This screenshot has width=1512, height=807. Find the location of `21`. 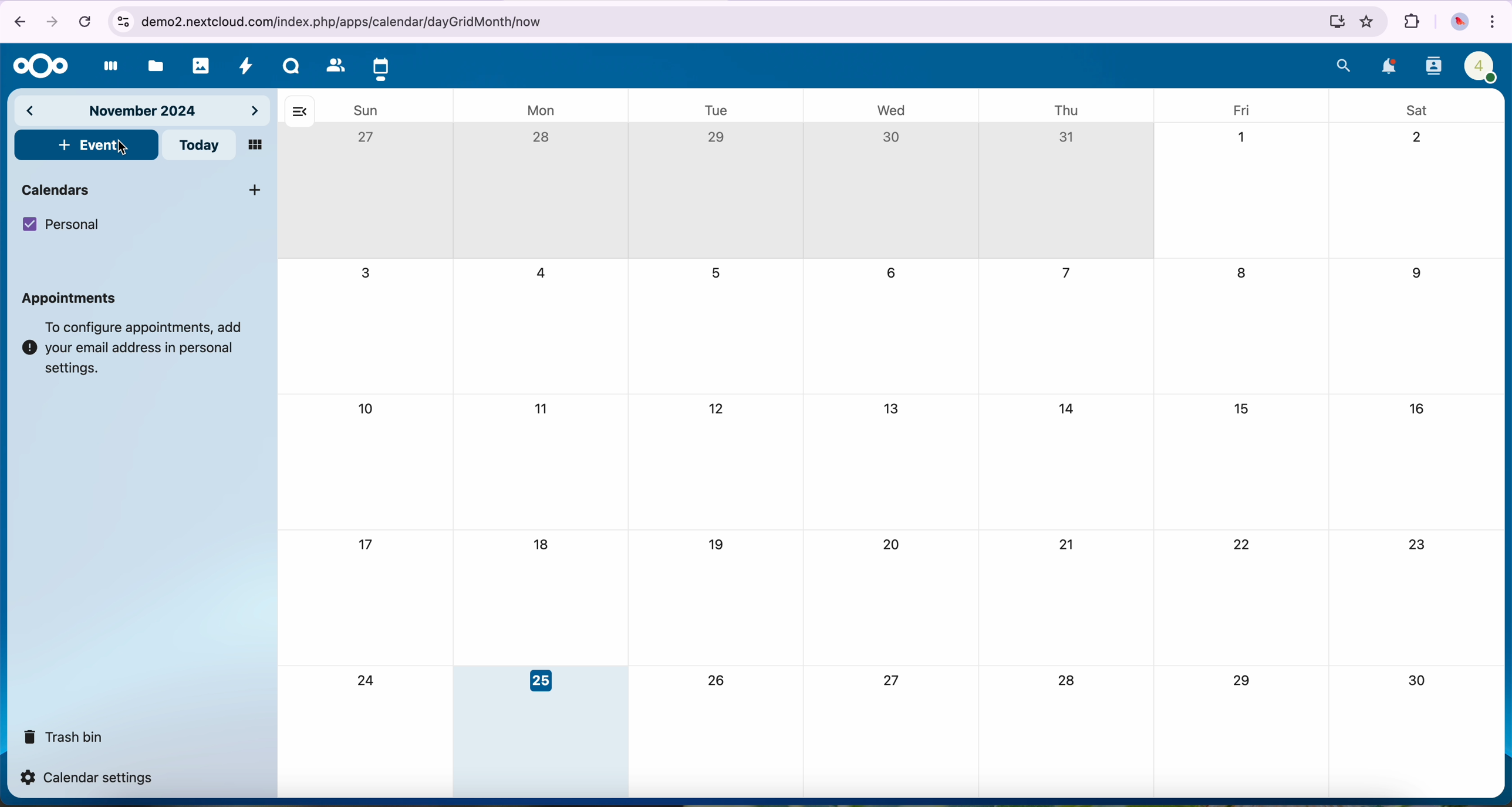

21 is located at coordinates (1069, 543).